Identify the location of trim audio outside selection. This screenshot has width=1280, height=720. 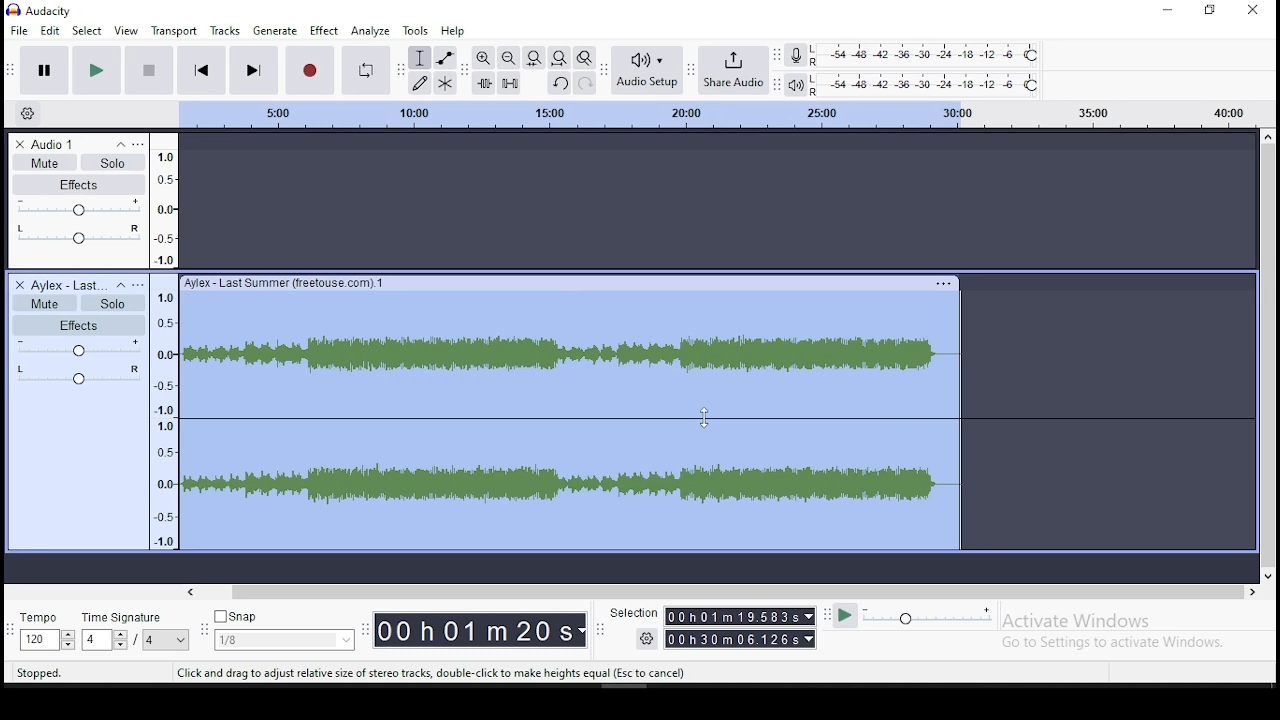
(484, 83).